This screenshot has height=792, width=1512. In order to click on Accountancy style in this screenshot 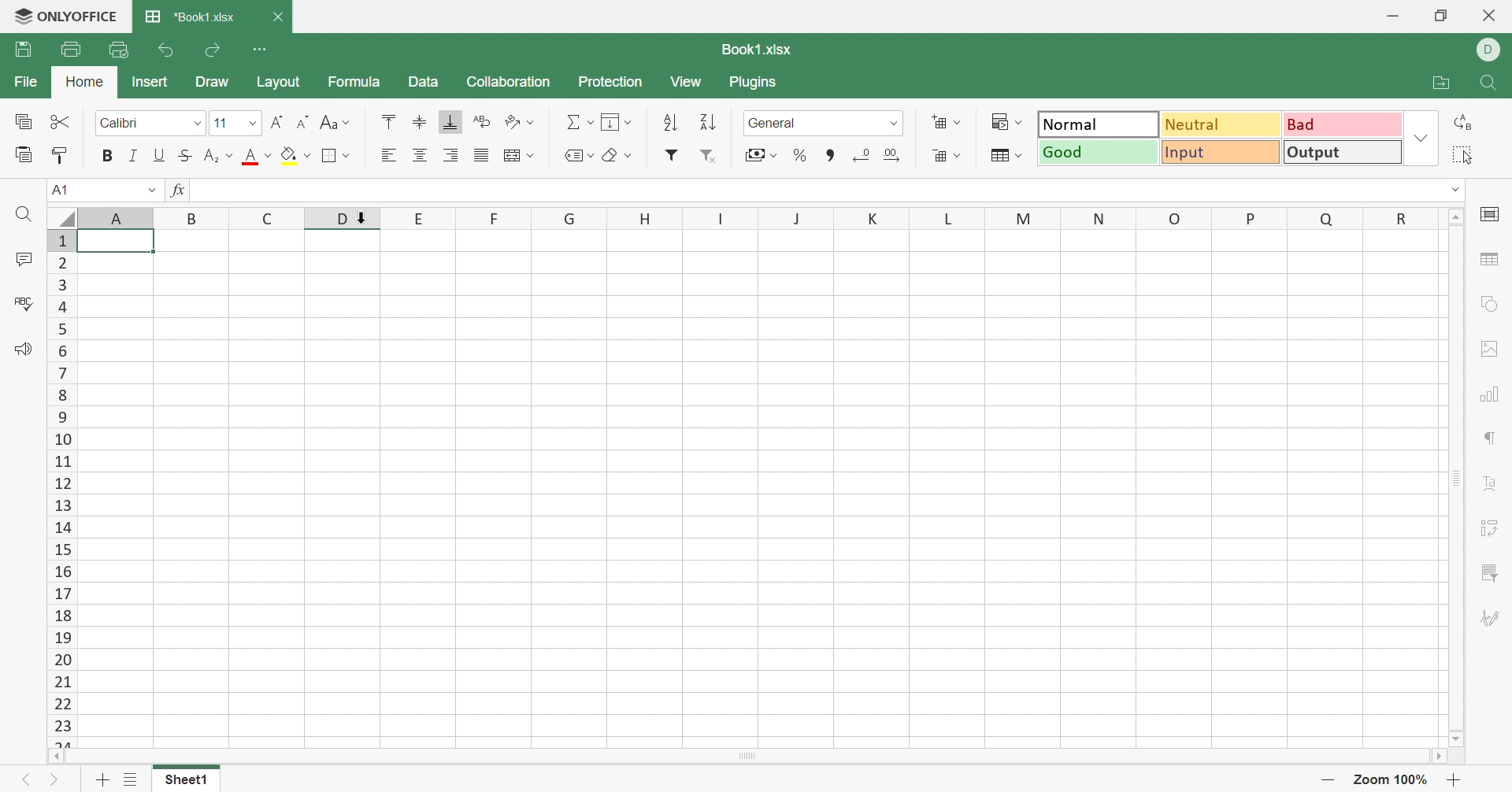, I will do `click(752, 154)`.